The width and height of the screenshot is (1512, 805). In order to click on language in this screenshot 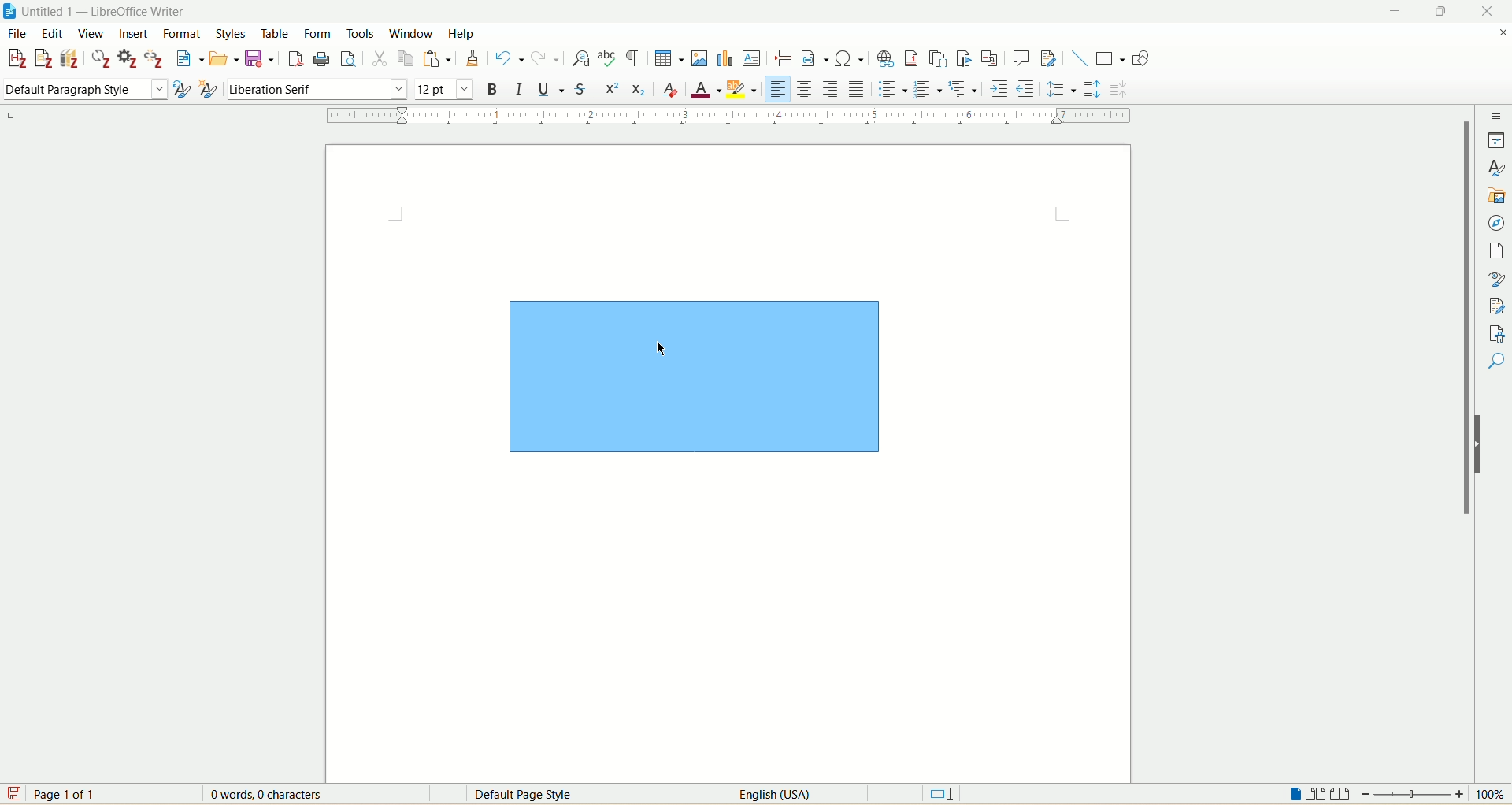, I will do `click(778, 793)`.